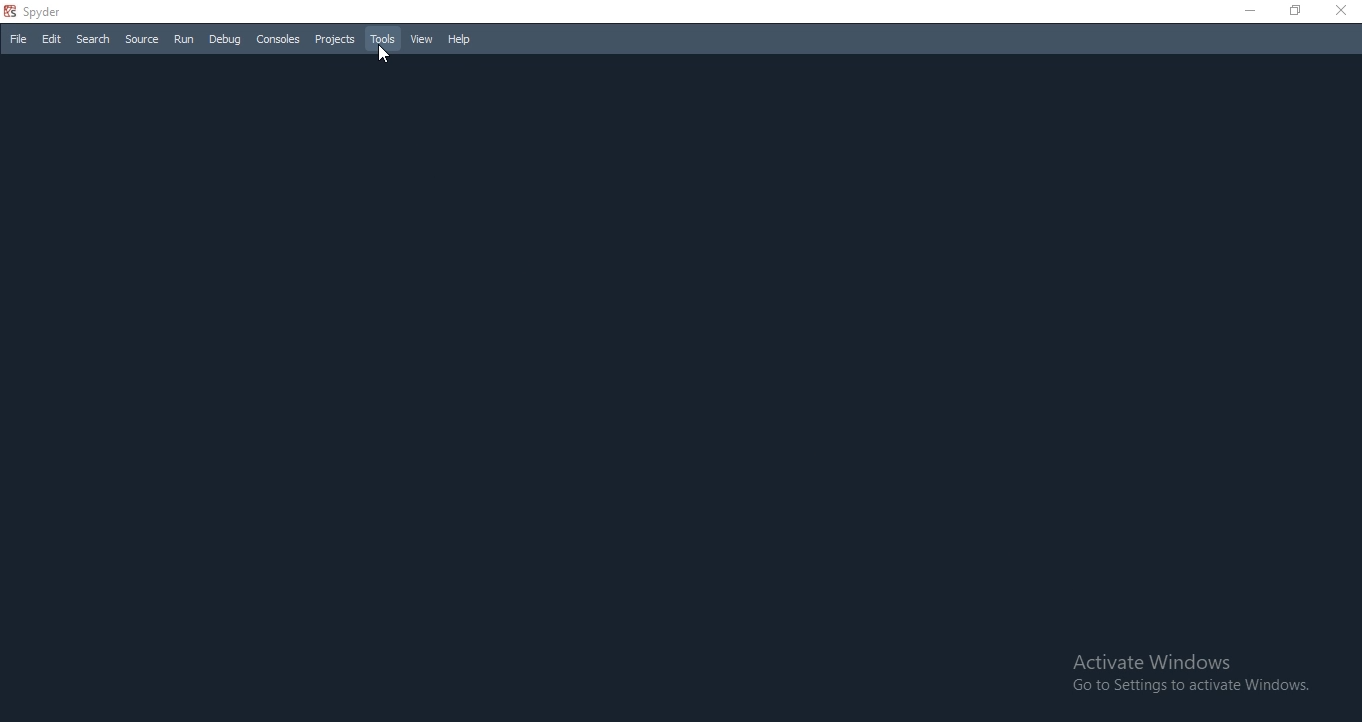 The height and width of the screenshot is (722, 1362). Describe the element at coordinates (1247, 8) in the screenshot. I see `Minimise` at that location.